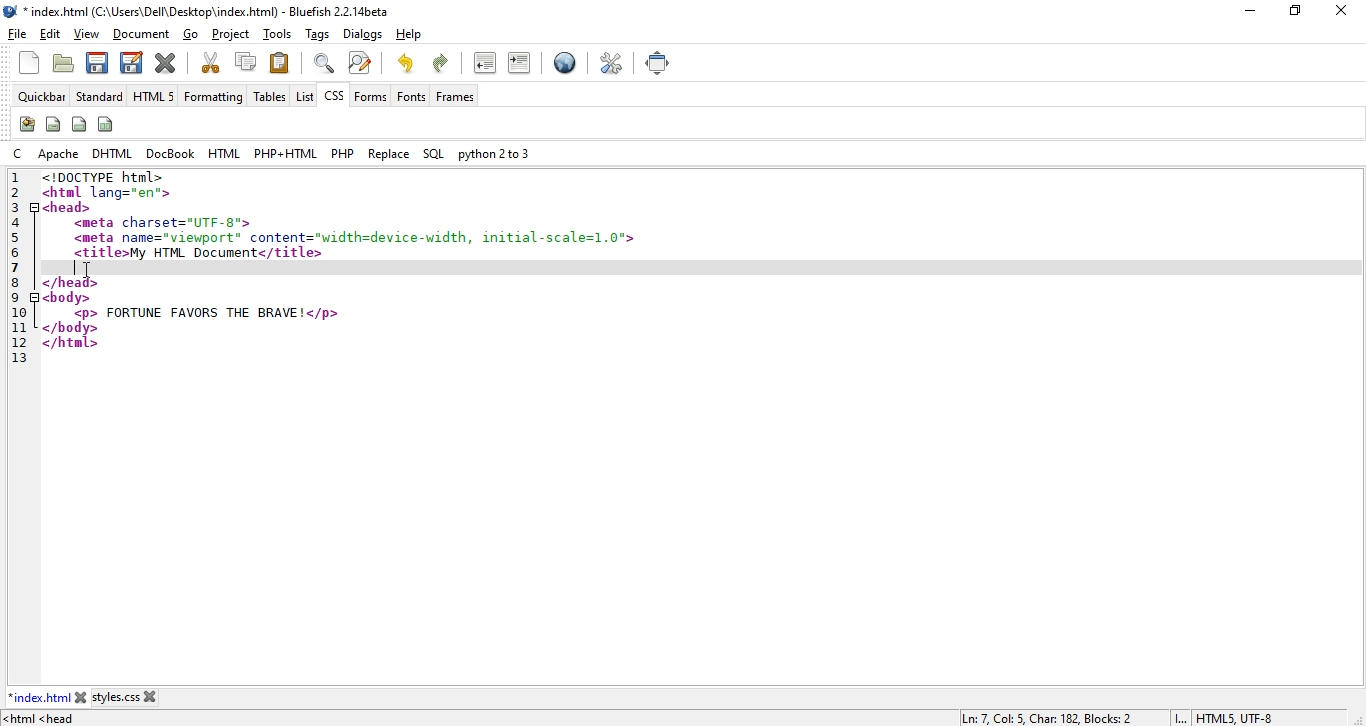 Image resolution: width=1366 pixels, height=726 pixels. Describe the element at coordinates (88, 34) in the screenshot. I see `view` at that location.